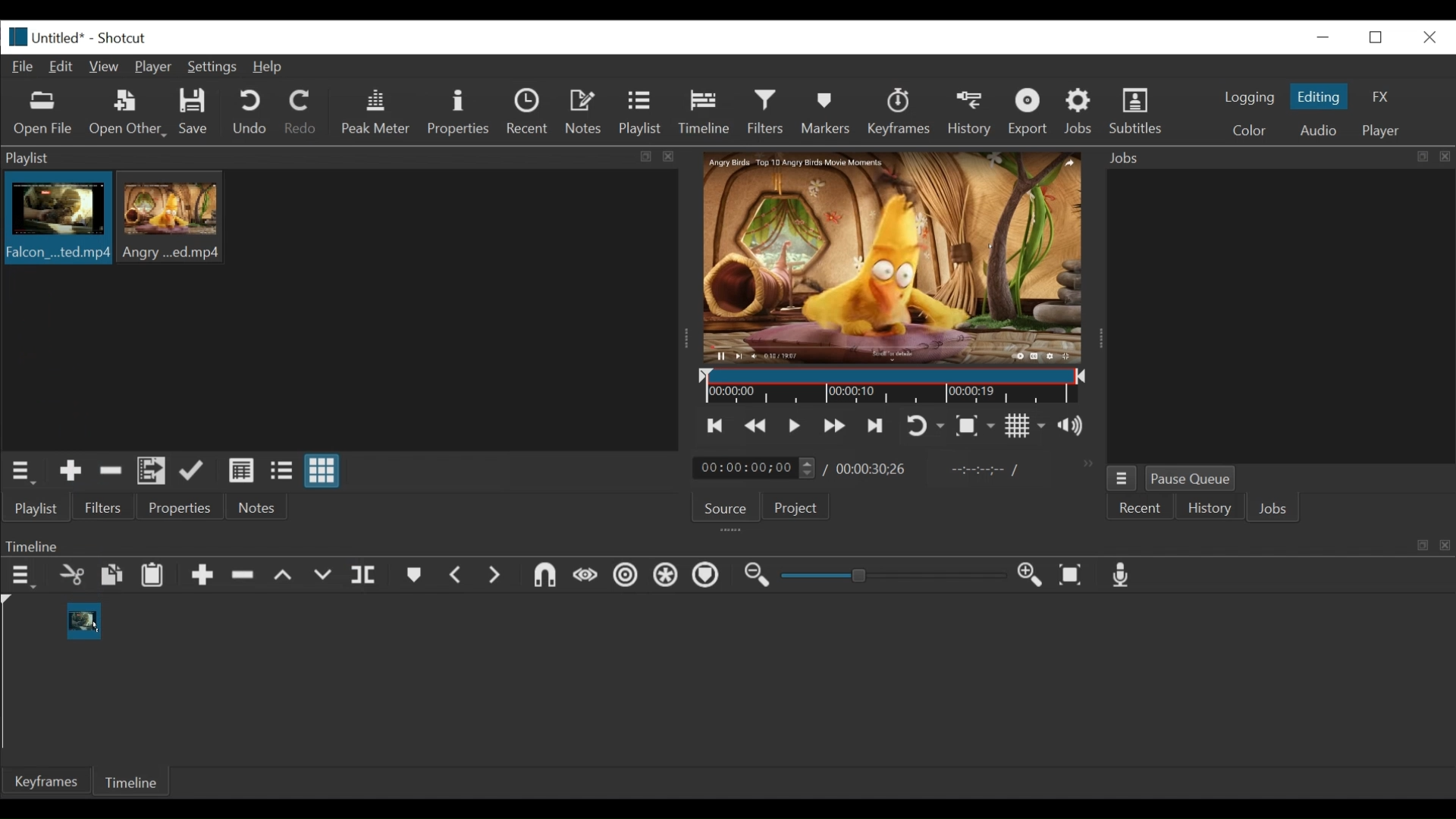  What do you see at coordinates (974, 427) in the screenshot?
I see `Toggle zoom` at bounding box center [974, 427].